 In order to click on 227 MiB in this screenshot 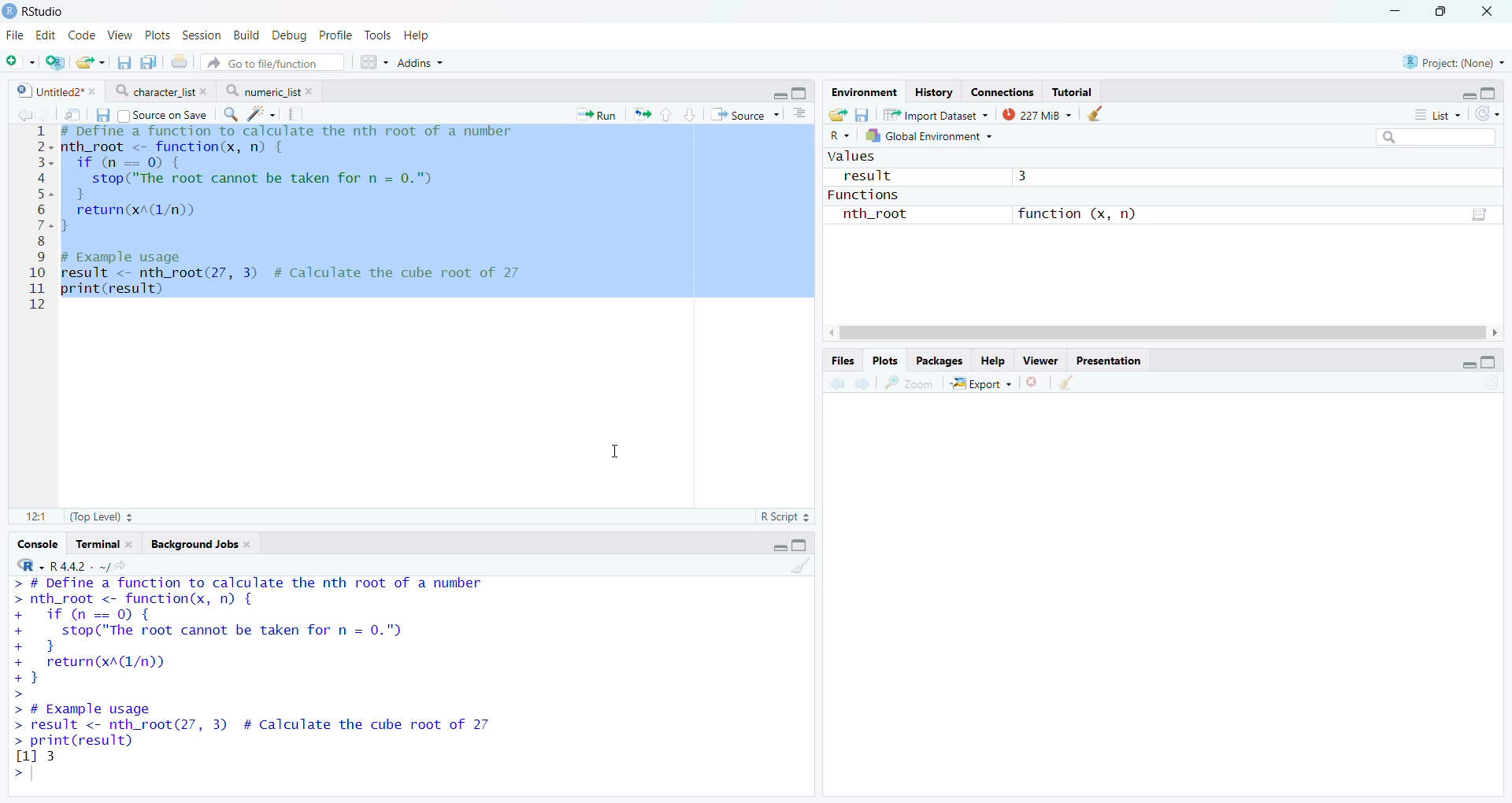, I will do `click(1034, 113)`.